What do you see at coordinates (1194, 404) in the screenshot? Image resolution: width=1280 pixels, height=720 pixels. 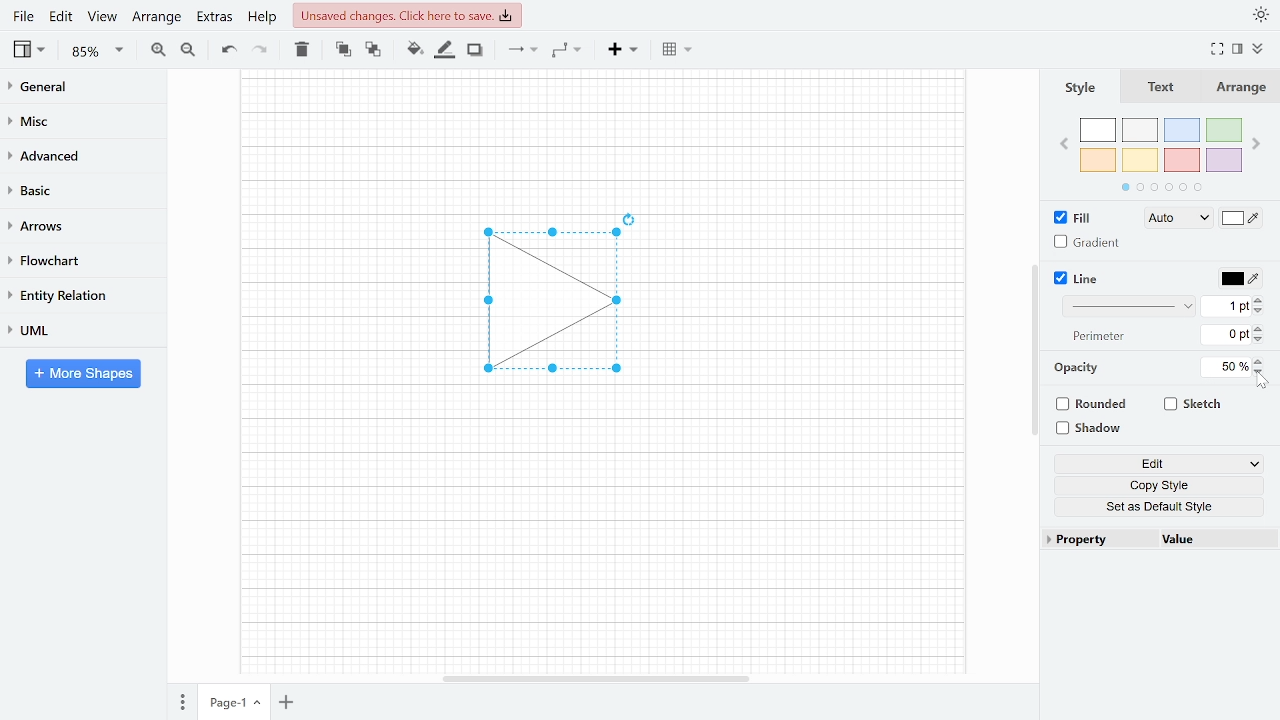 I see `Sketch` at bounding box center [1194, 404].